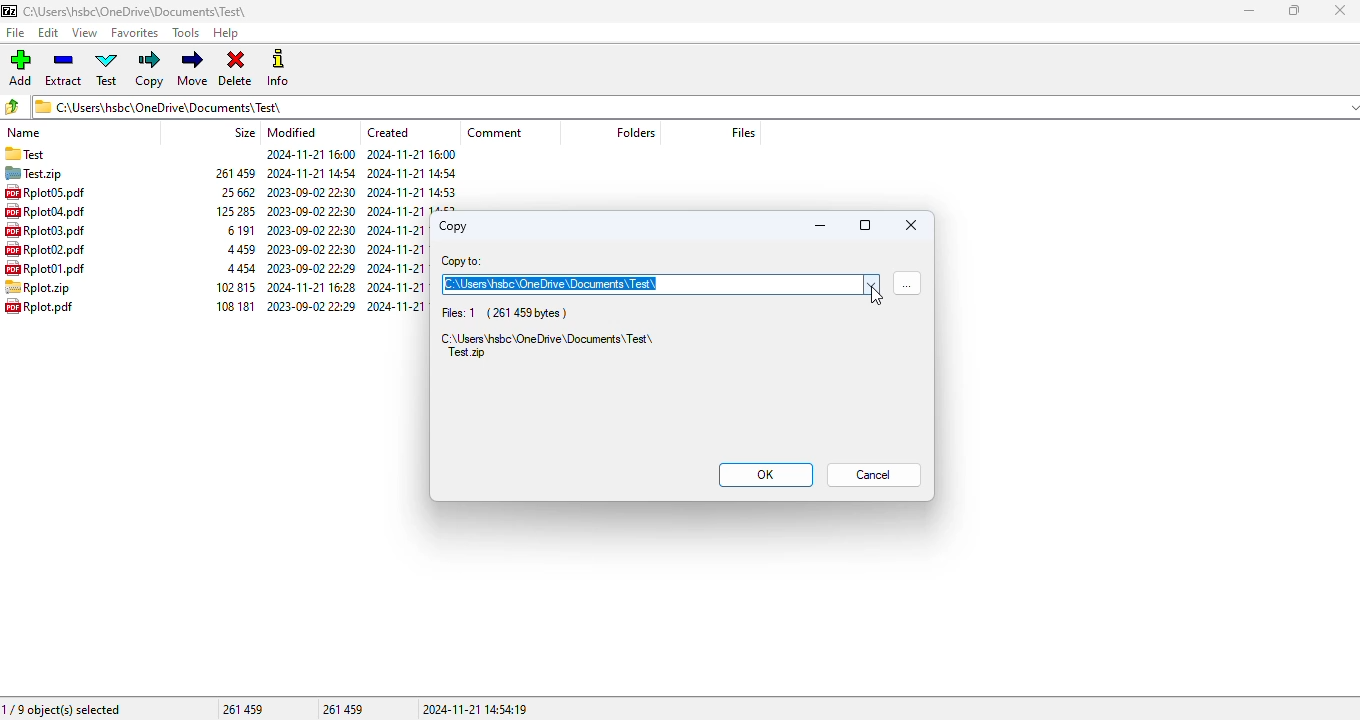 Image resolution: width=1360 pixels, height=720 pixels. What do you see at coordinates (21, 68) in the screenshot?
I see `add` at bounding box center [21, 68].